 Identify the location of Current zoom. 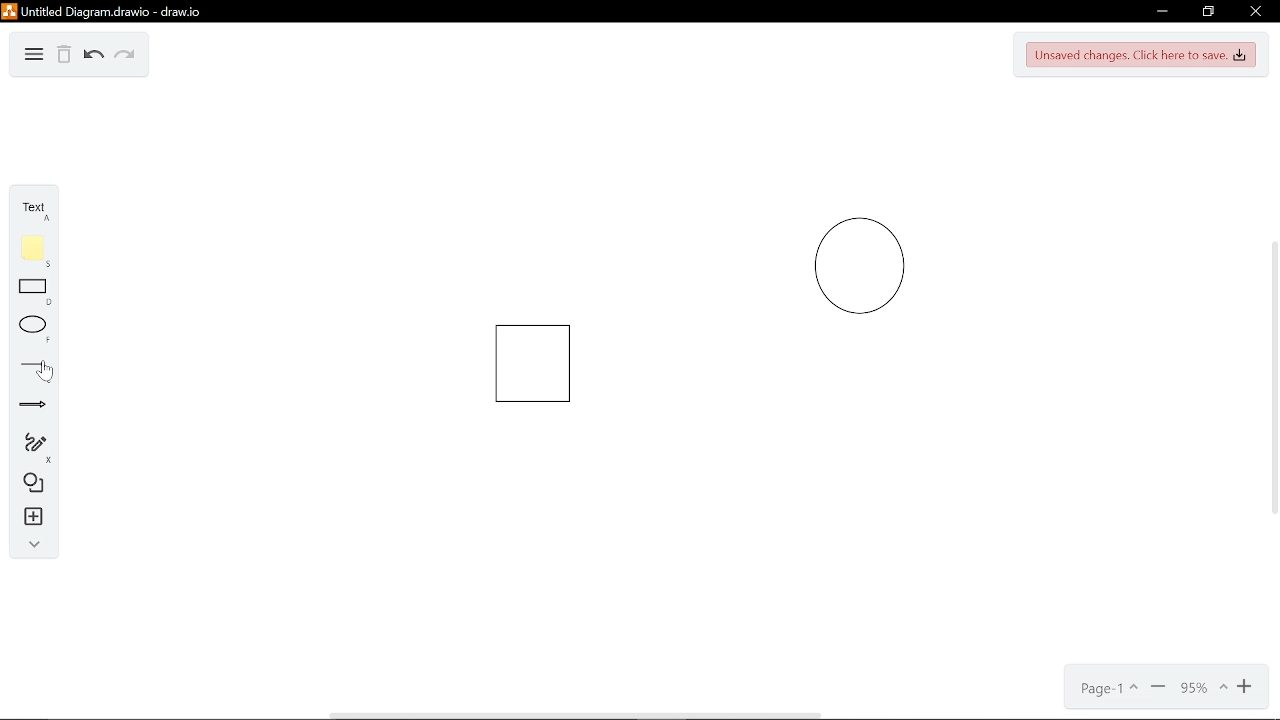
(1202, 691).